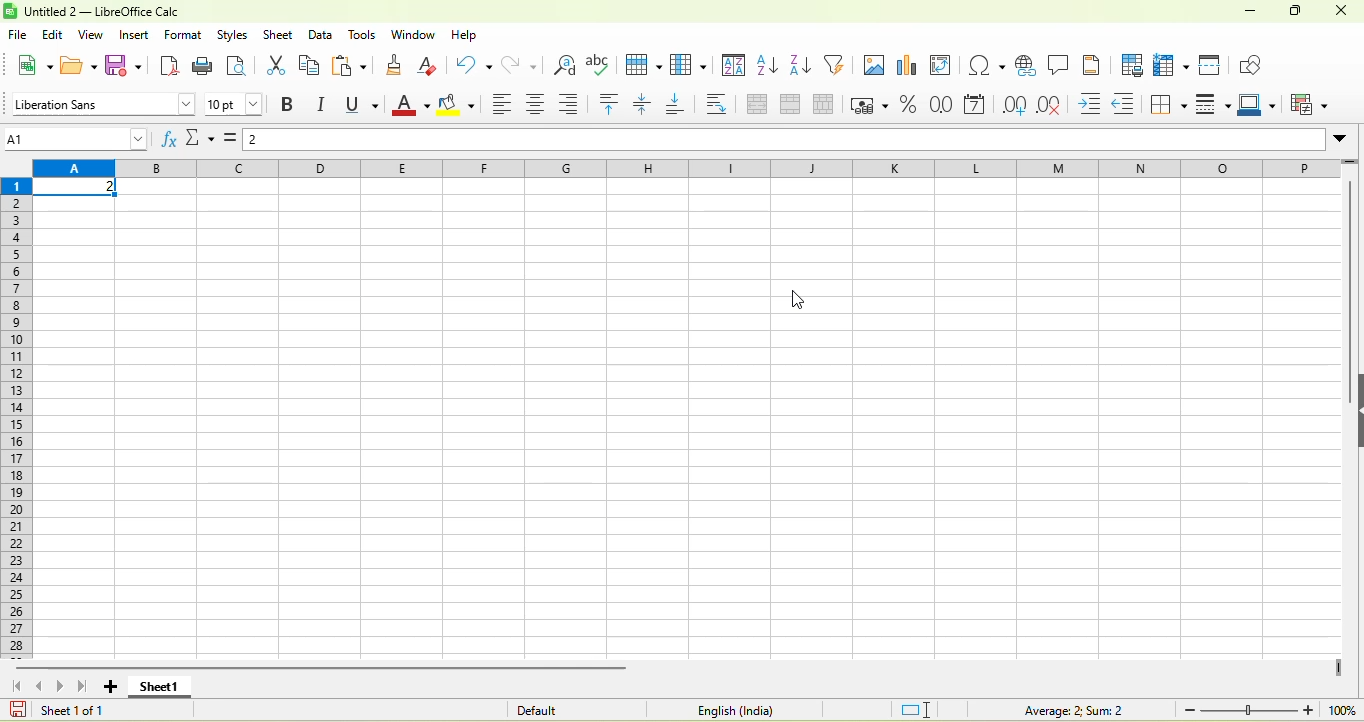 The height and width of the screenshot is (722, 1364). What do you see at coordinates (181, 34) in the screenshot?
I see `format` at bounding box center [181, 34].